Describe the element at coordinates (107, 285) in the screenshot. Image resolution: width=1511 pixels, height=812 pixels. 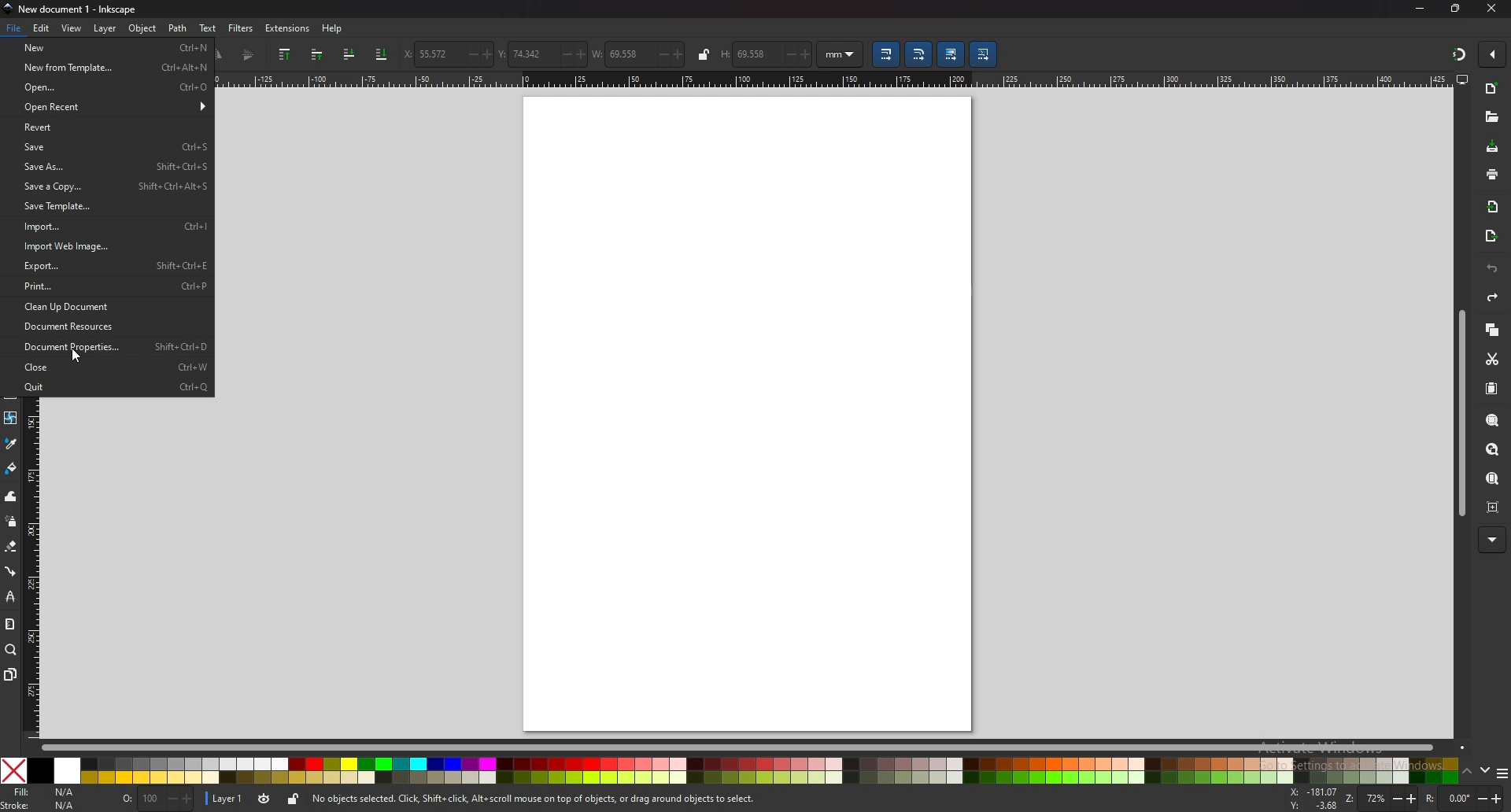
I see `print` at that location.